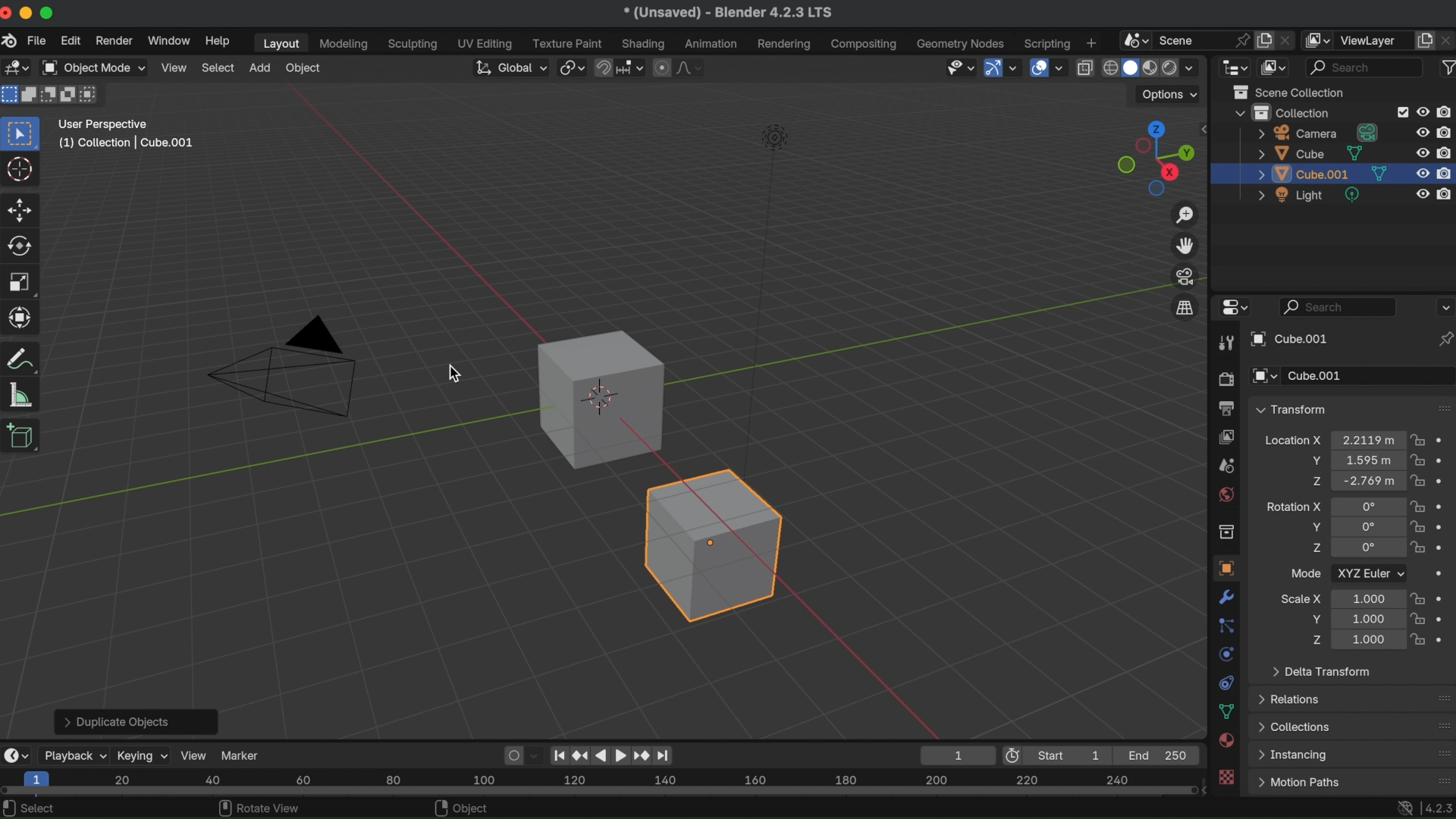 This screenshot has width=1456, height=819. What do you see at coordinates (1370, 376) in the screenshot?
I see `Cube.001` at bounding box center [1370, 376].